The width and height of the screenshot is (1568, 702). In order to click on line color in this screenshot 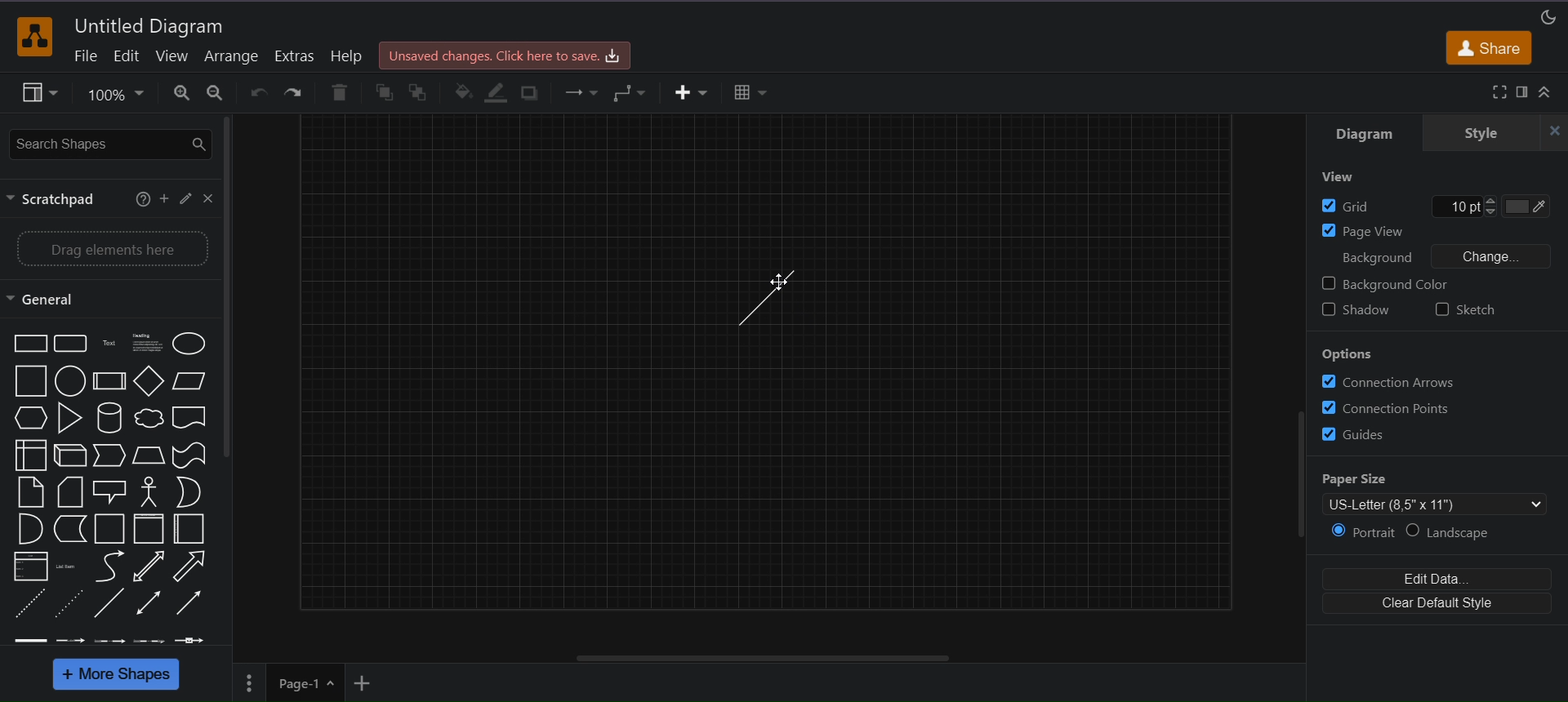, I will do `click(498, 91)`.